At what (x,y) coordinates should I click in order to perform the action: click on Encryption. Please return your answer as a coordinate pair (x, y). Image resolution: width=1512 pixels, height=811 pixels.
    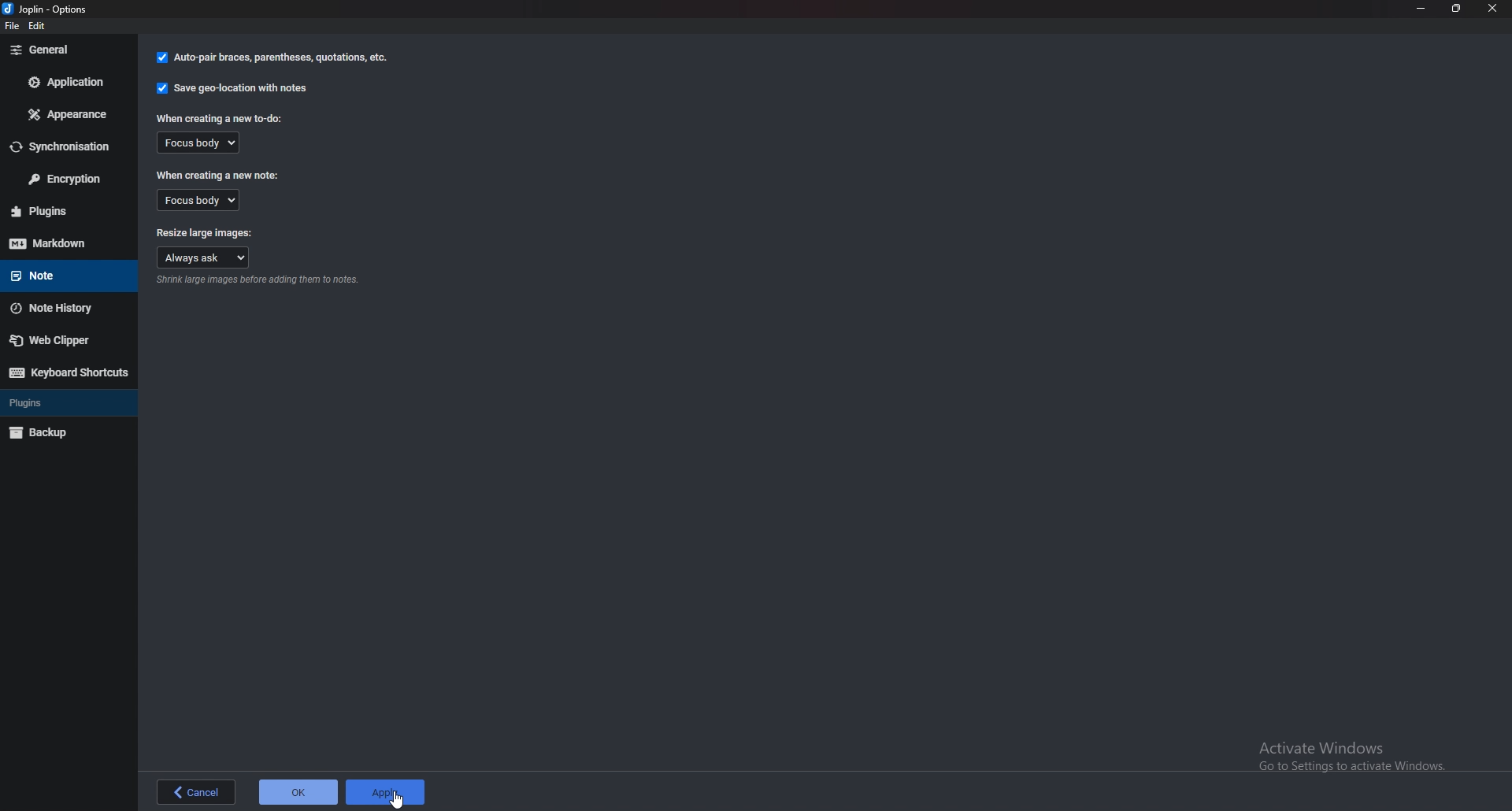
    Looking at the image, I should click on (66, 180).